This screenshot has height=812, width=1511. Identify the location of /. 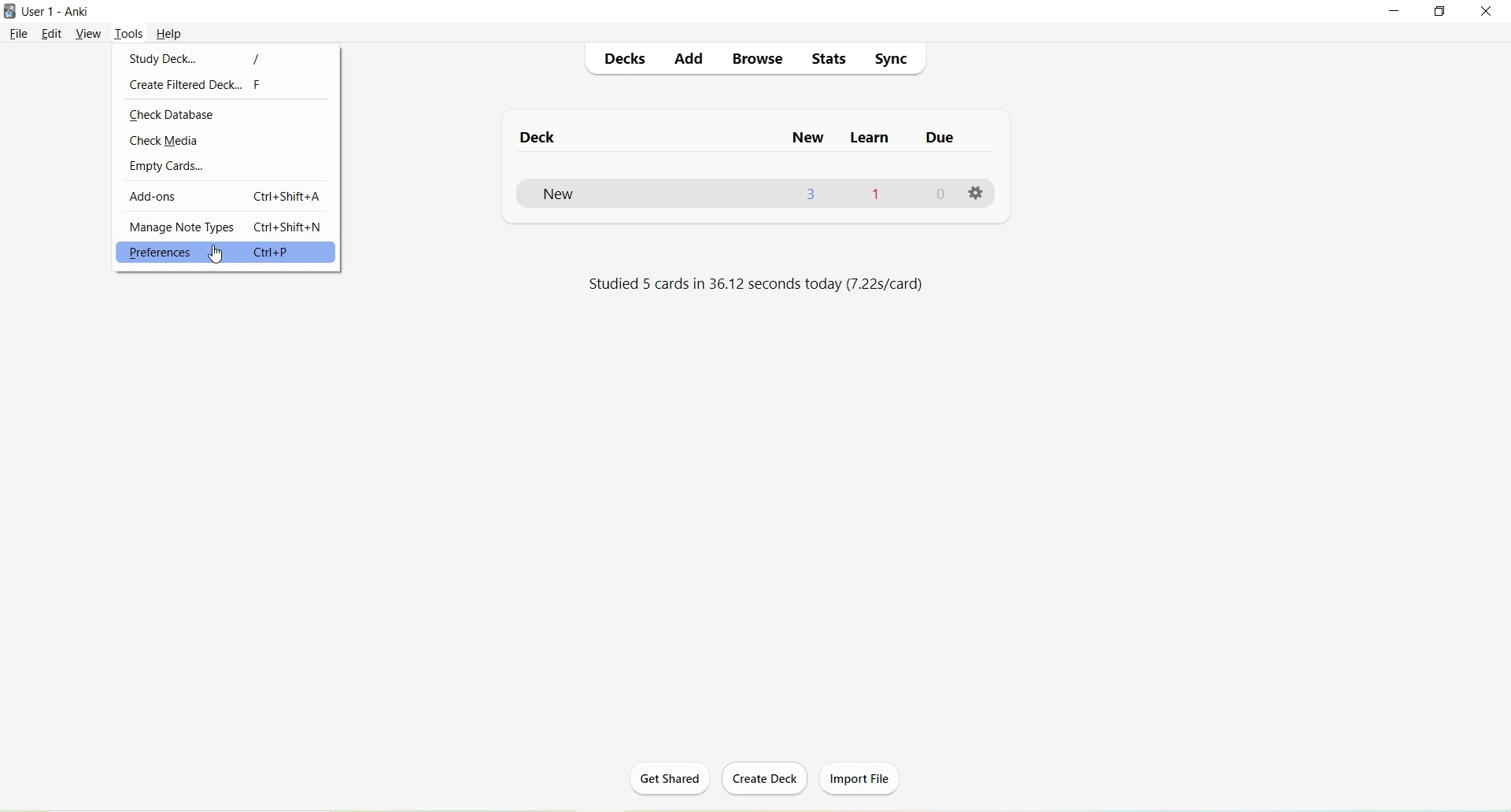
(257, 59).